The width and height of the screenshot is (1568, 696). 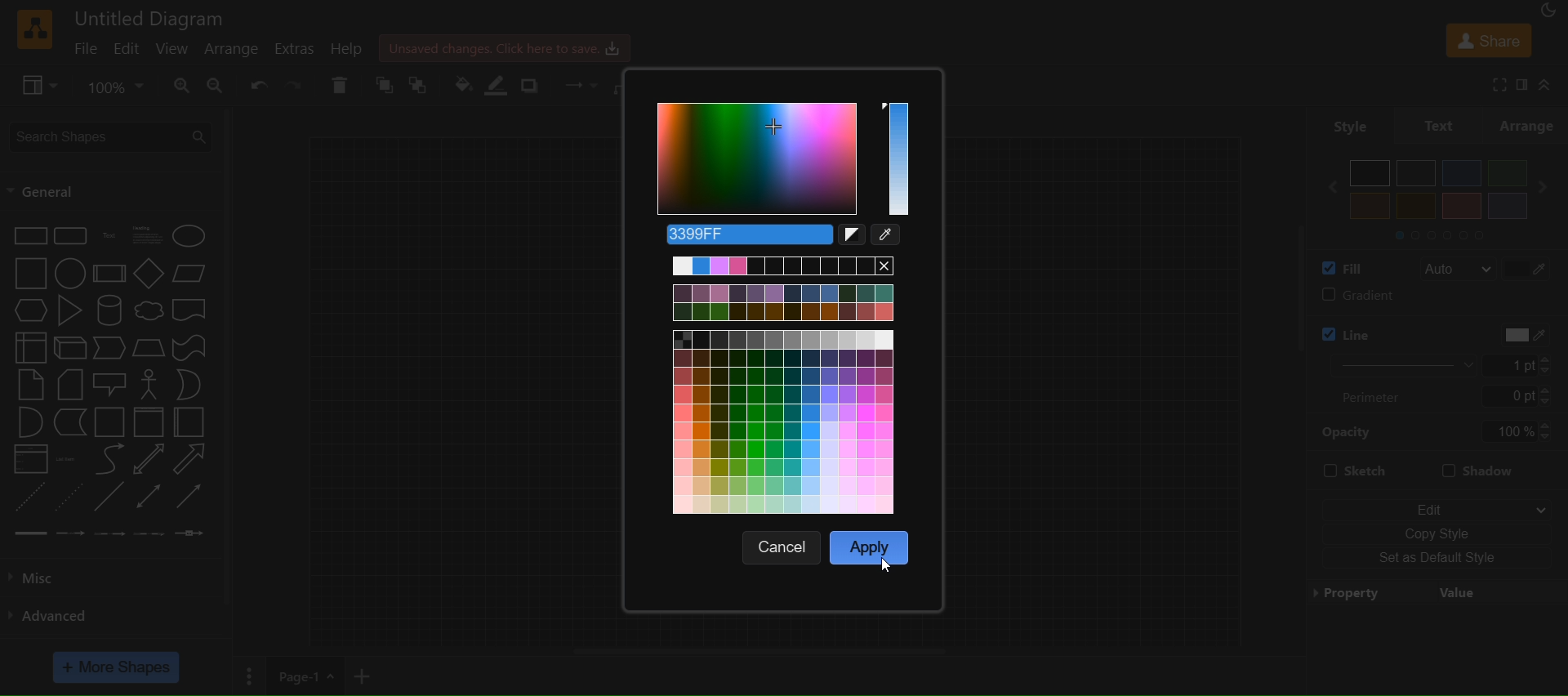 What do you see at coordinates (173, 48) in the screenshot?
I see `view` at bounding box center [173, 48].